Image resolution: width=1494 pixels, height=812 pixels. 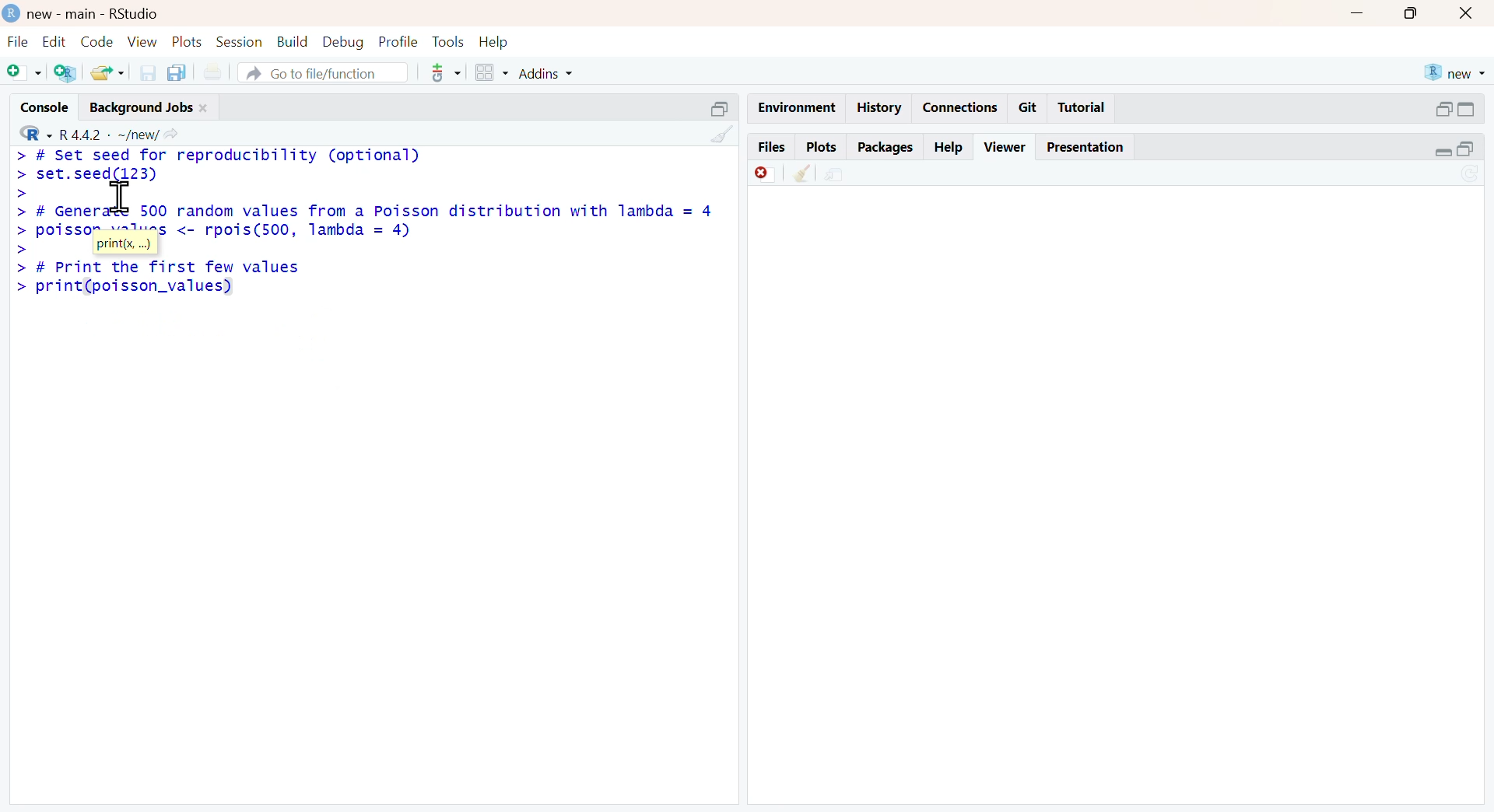 What do you see at coordinates (293, 232) in the screenshot?
I see `<- rpois(500, lambda = 4)` at bounding box center [293, 232].